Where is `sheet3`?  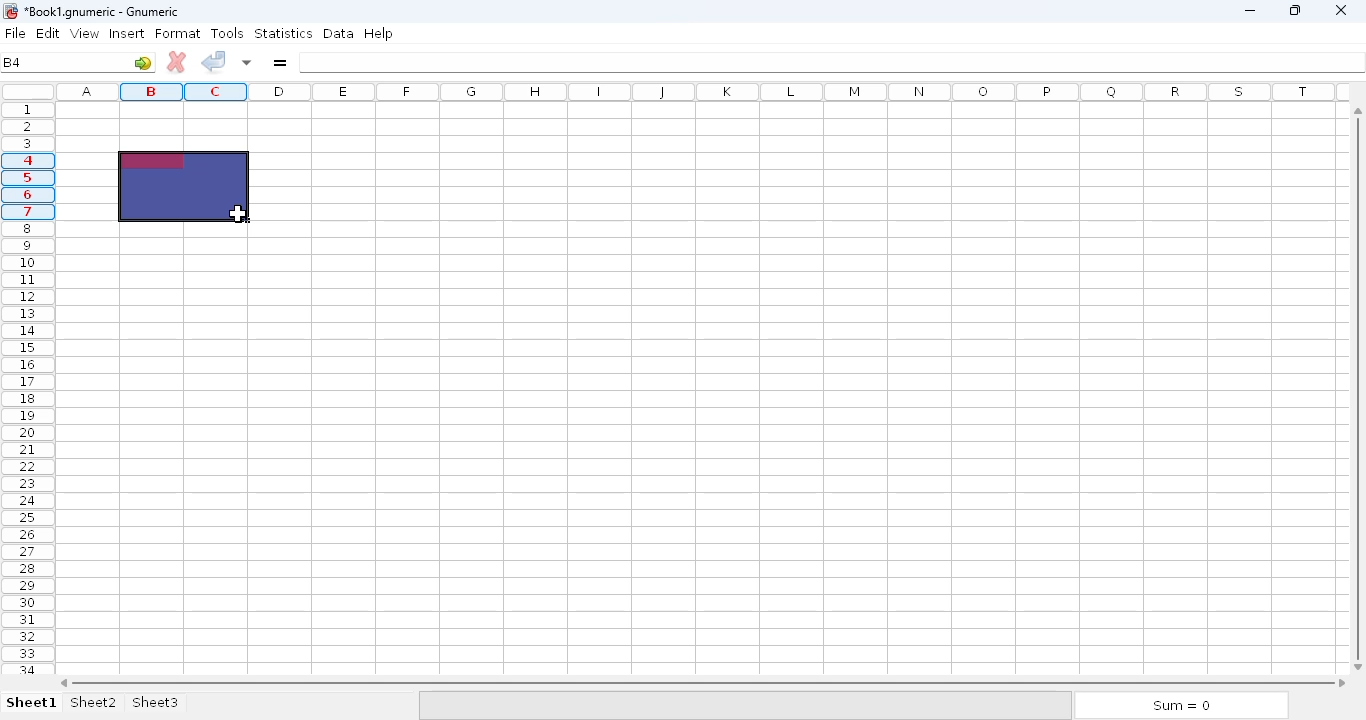 sheet3 is located at coordinates (156, 701).